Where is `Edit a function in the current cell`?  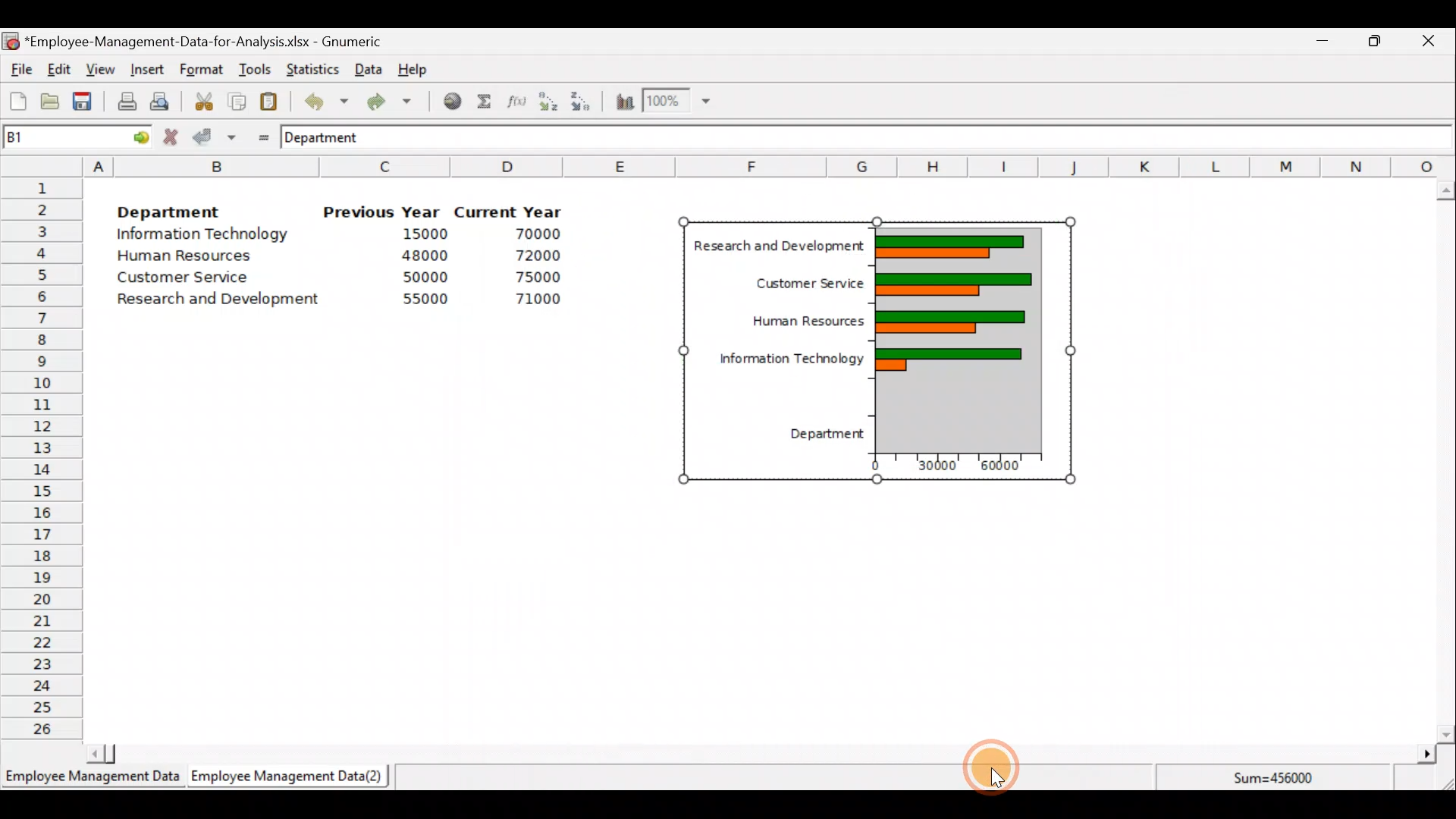 Edit a function in the current cell is located at coordinates (516, 100).